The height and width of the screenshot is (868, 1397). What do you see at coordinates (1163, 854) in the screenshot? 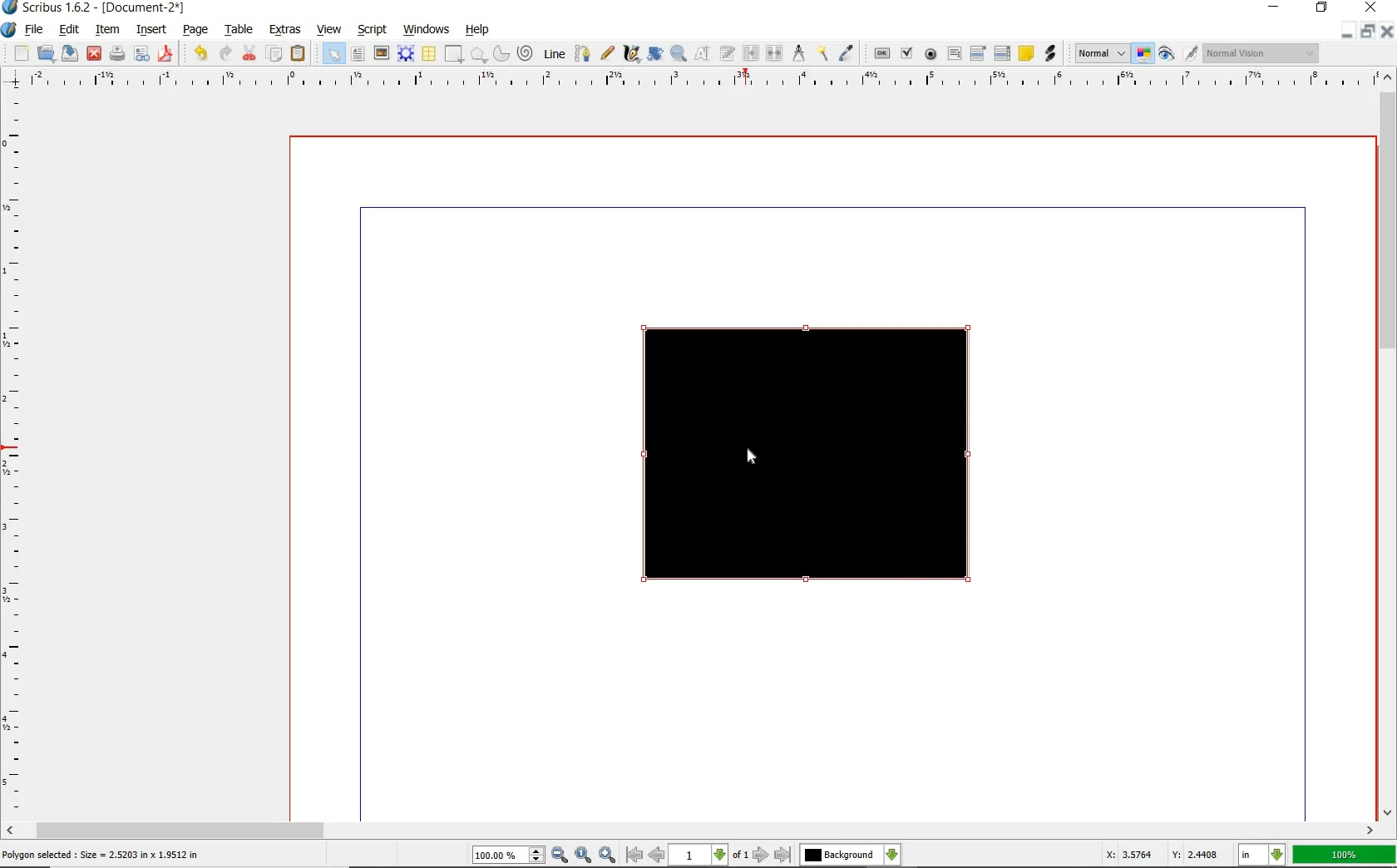
I see `X: 3.5764 Y: 2.4408` at bounding box center [1163, 854].